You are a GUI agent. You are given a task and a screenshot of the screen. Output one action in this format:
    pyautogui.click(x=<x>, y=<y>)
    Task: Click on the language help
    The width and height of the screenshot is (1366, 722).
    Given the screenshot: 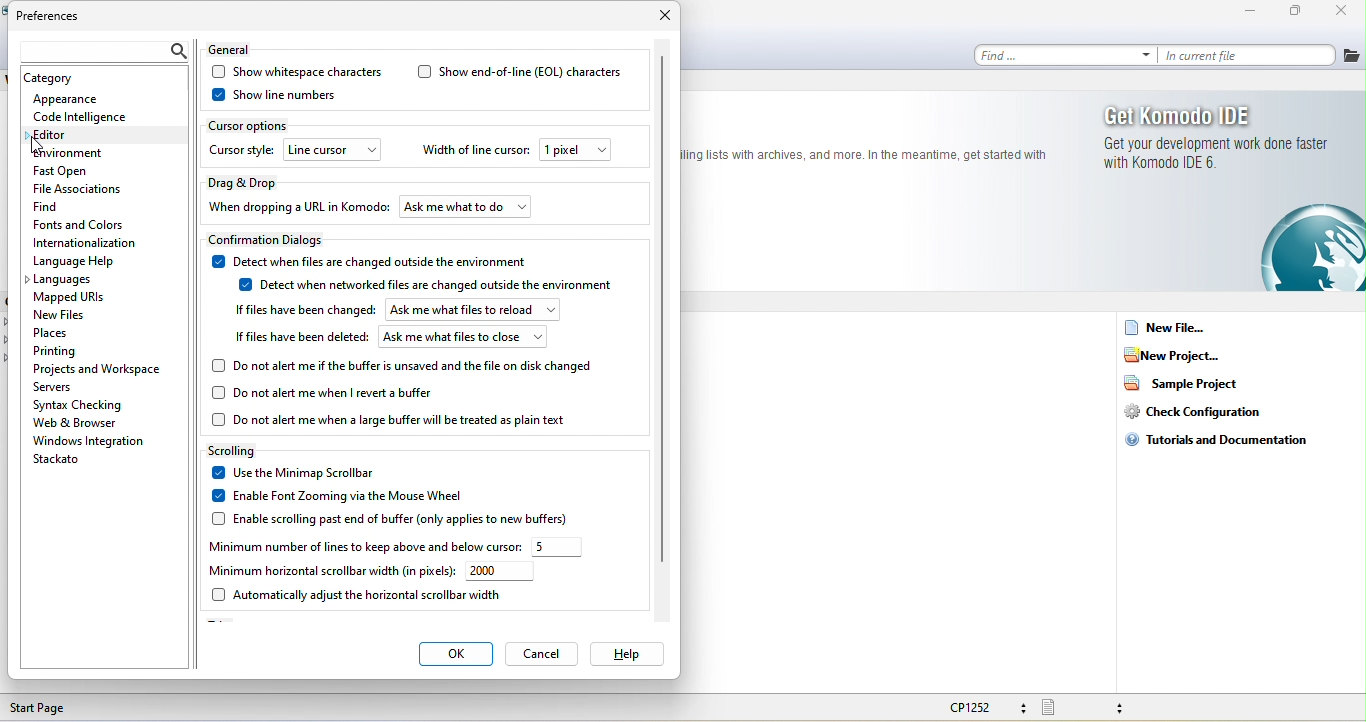 What is the action you would take?
    pyautogui.click(x=96, y=261)
    